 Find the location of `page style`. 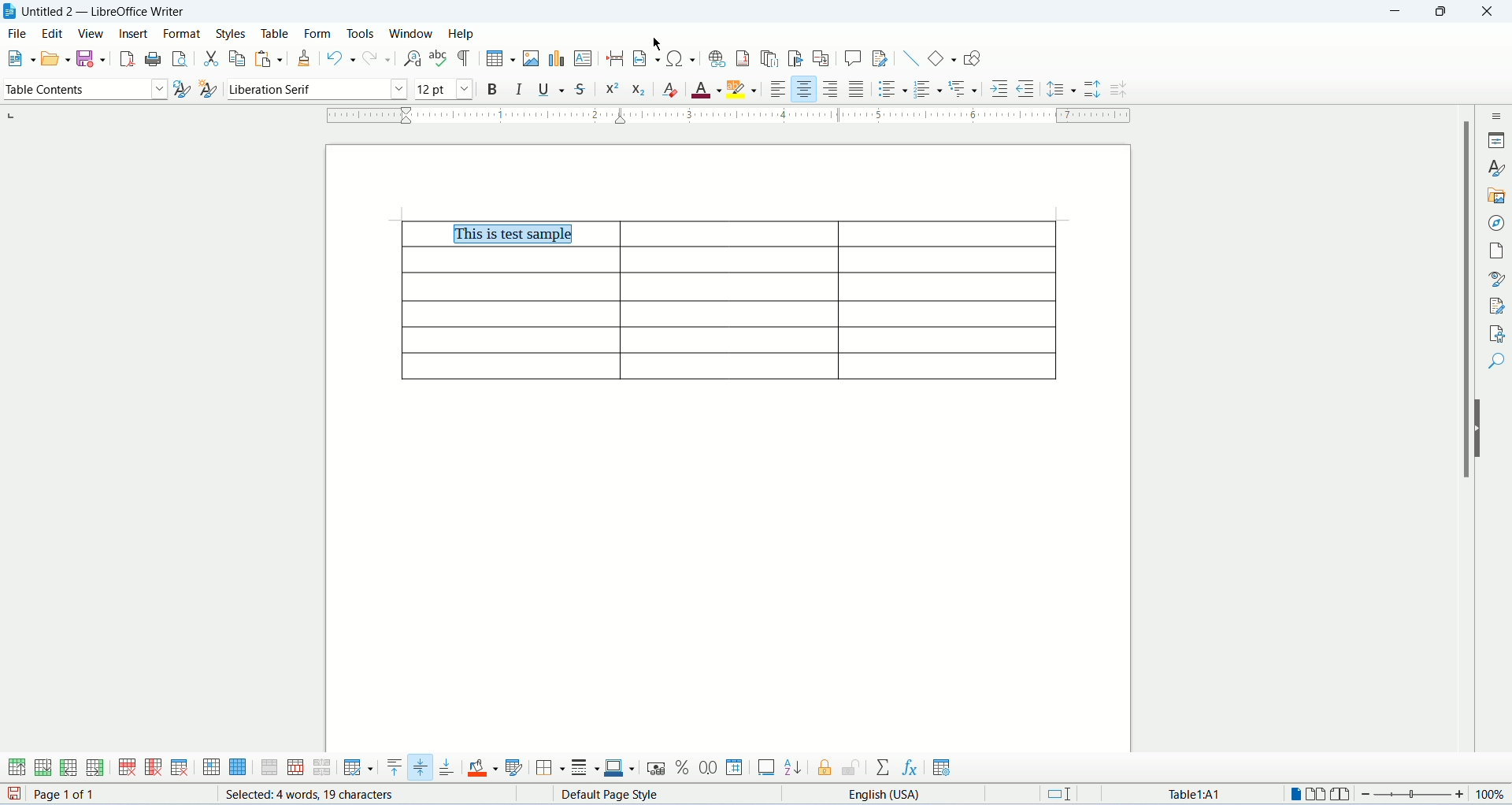

page style is located at coordinates (621, 795).